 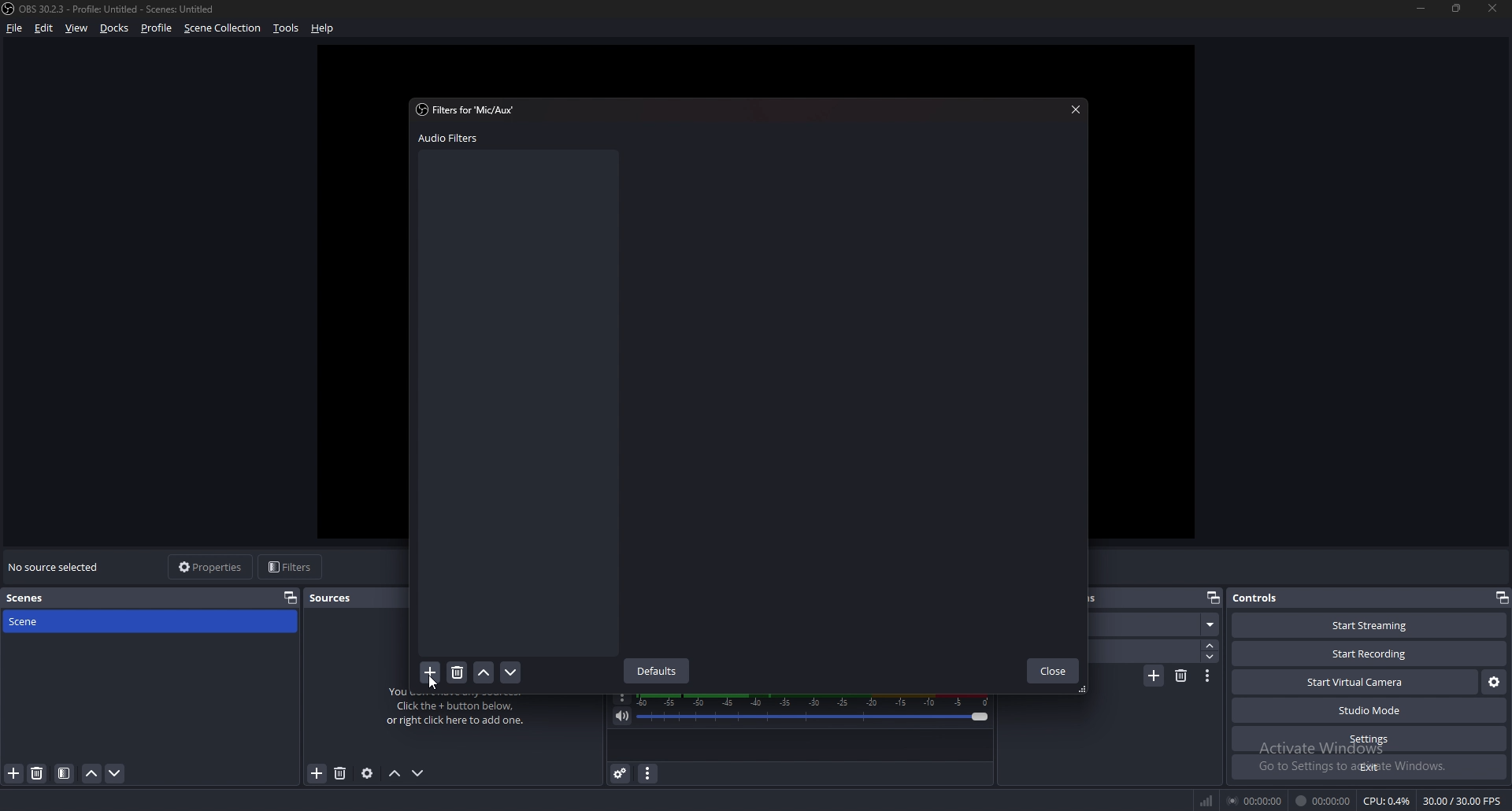 What do you see at coordinates (419, 773) in the screenshot?
I see `move source down` at bounding box center [419, 773].